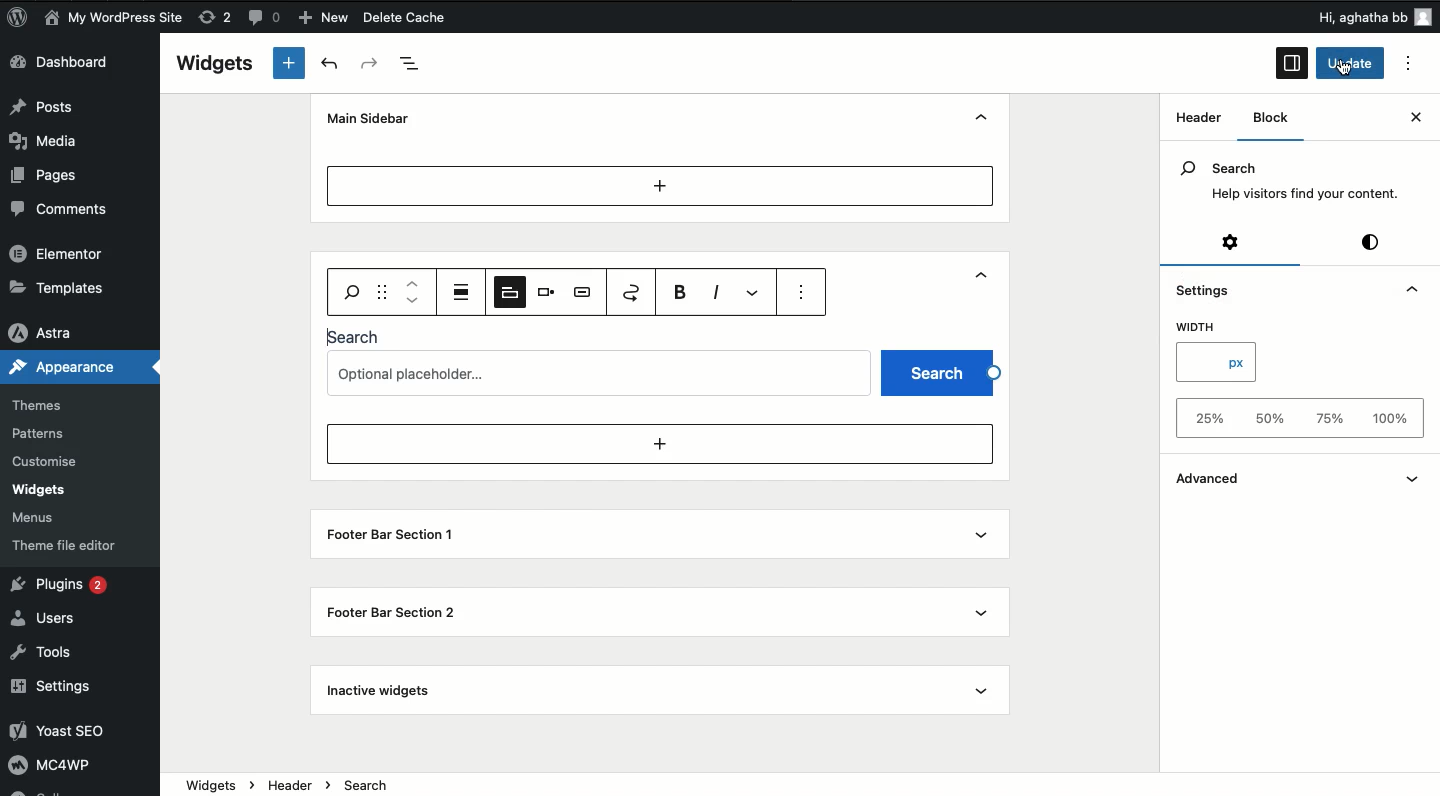  I want to click on show, so click(1415, 476).